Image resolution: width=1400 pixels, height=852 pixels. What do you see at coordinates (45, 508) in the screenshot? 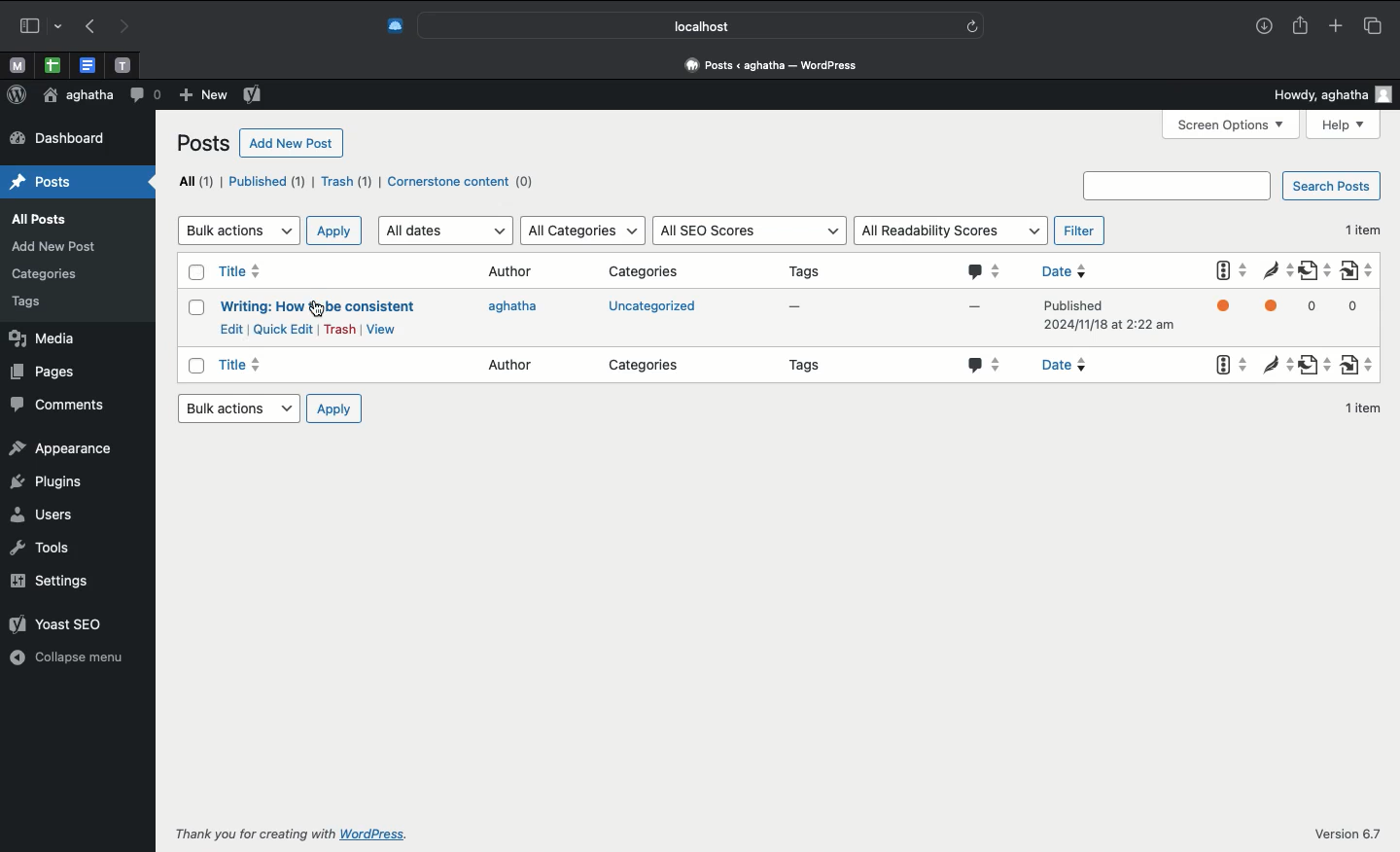
I see `Users` at bounding box center [45, 508].